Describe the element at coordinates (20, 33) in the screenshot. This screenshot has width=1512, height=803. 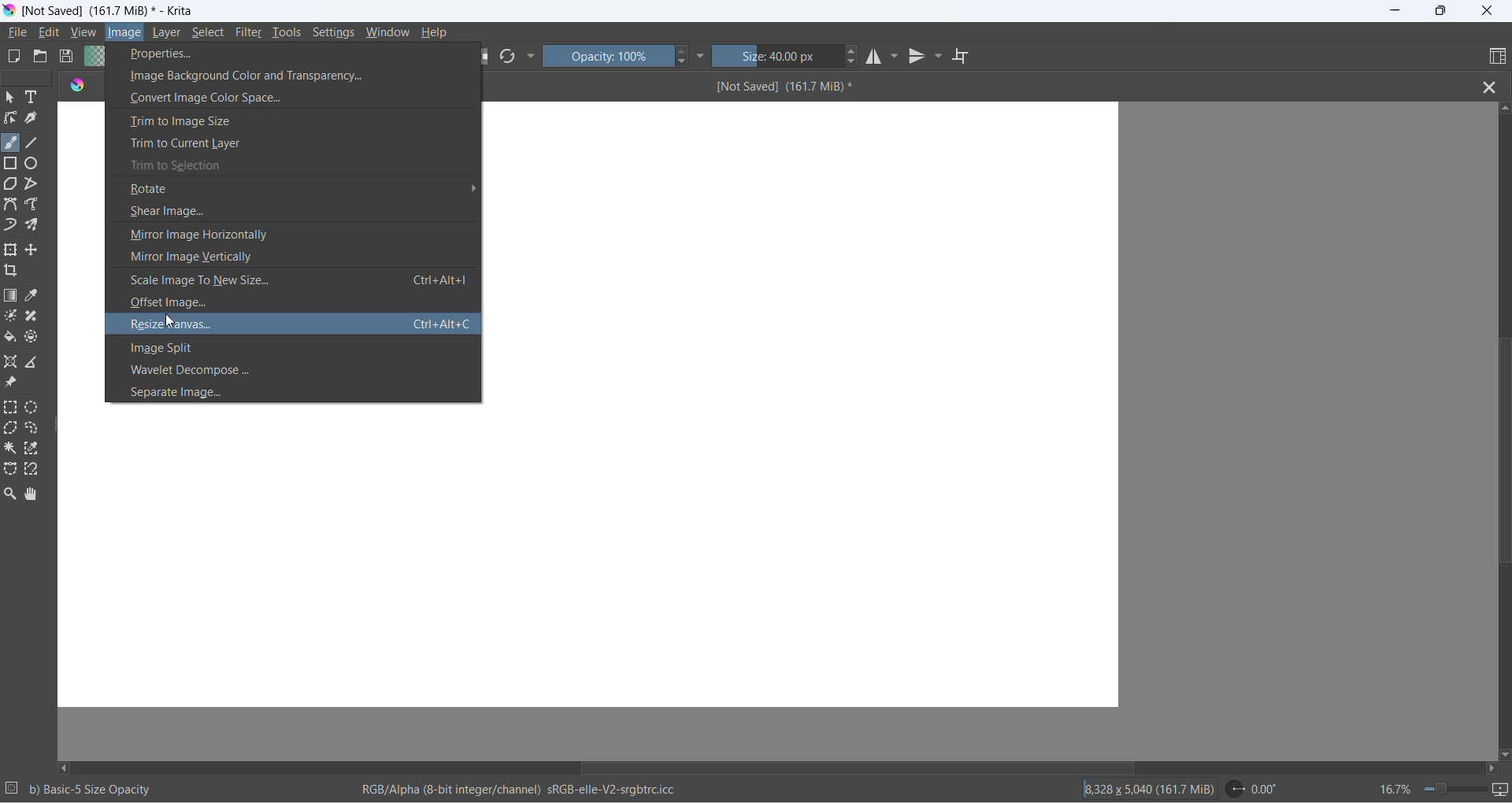
I see `file` at that location.